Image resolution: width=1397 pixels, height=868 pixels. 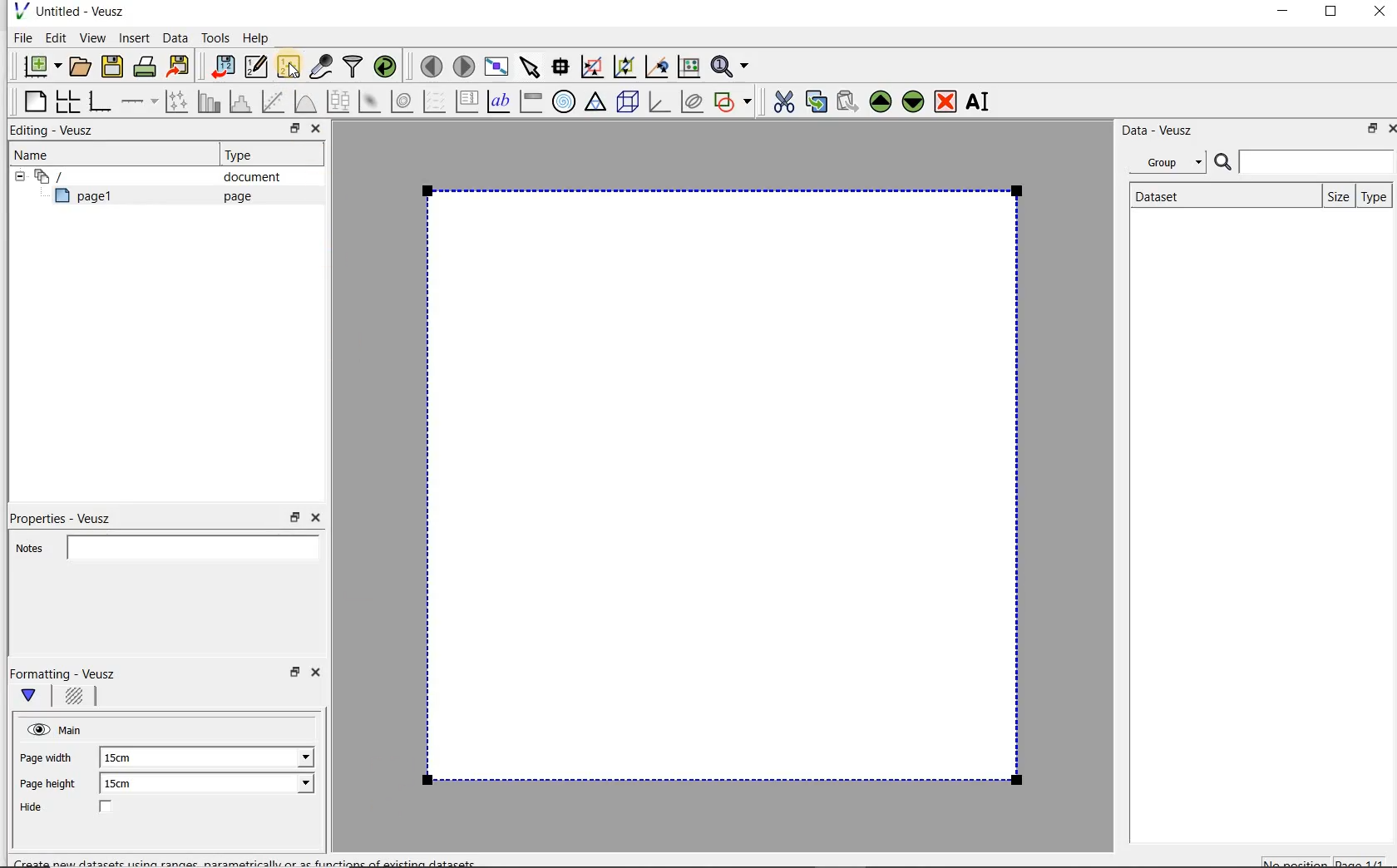 What do you see at coordinates (179, 68) in the screenshot?
I see `Export to graphics format` at bounding box center [179, 68].